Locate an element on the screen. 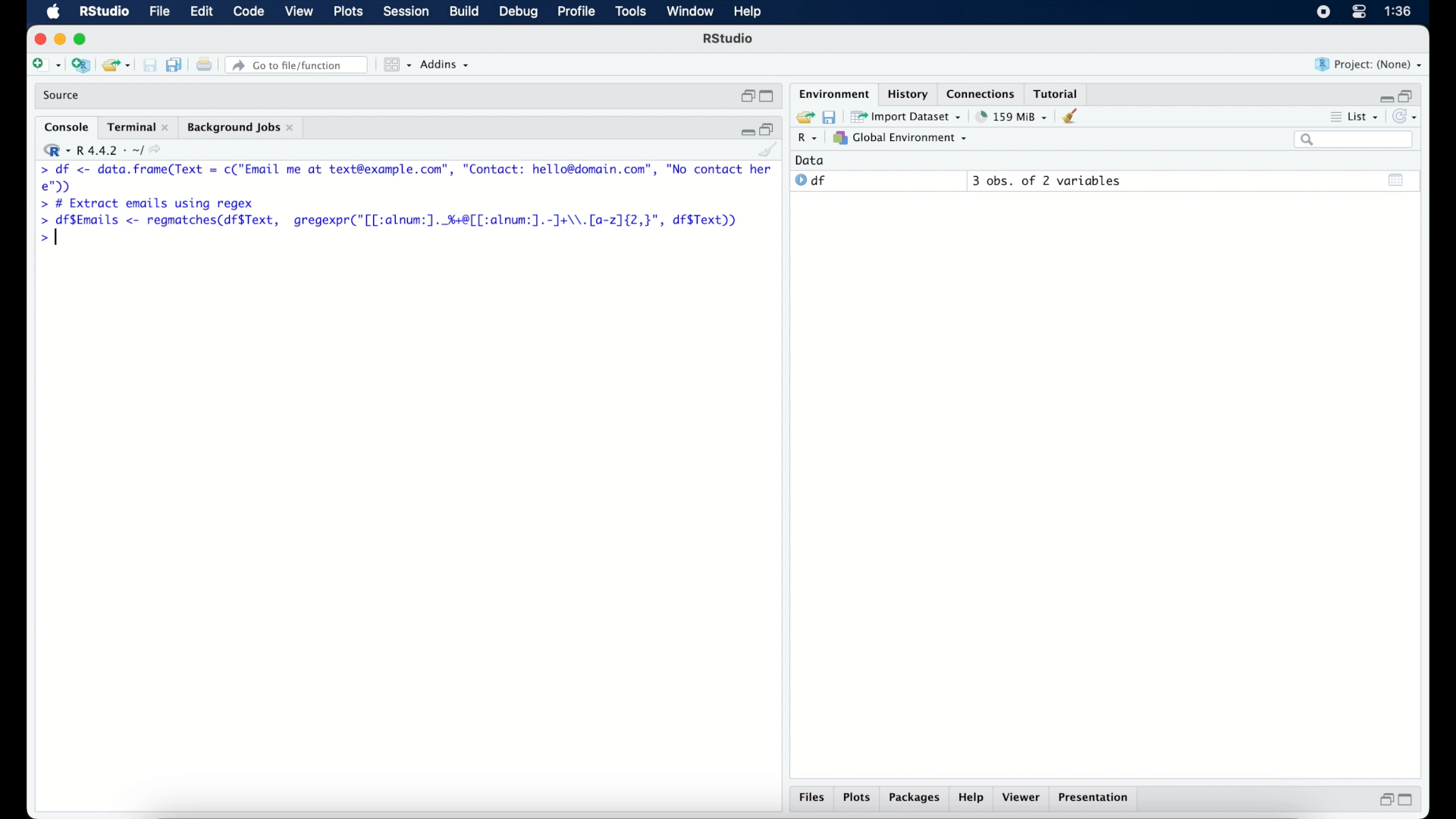 This screenshot has width=1456, height=819. addins is located at coordinates (446, 65).